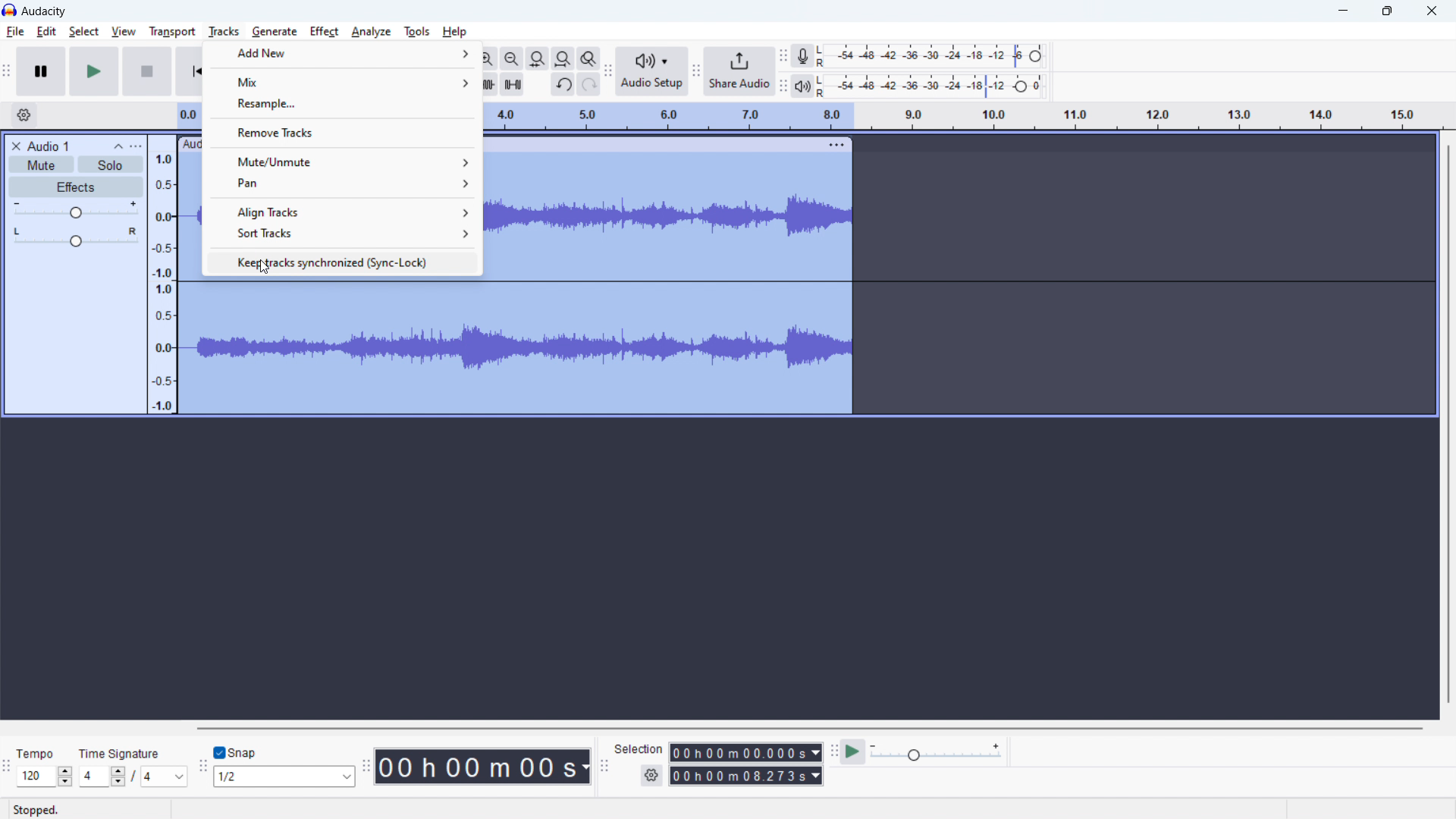 The height and width of the screenshot is (819, 1456). Describe the element at coordinates (284, 776) in the screenshot. I see `select snapping` at that location.